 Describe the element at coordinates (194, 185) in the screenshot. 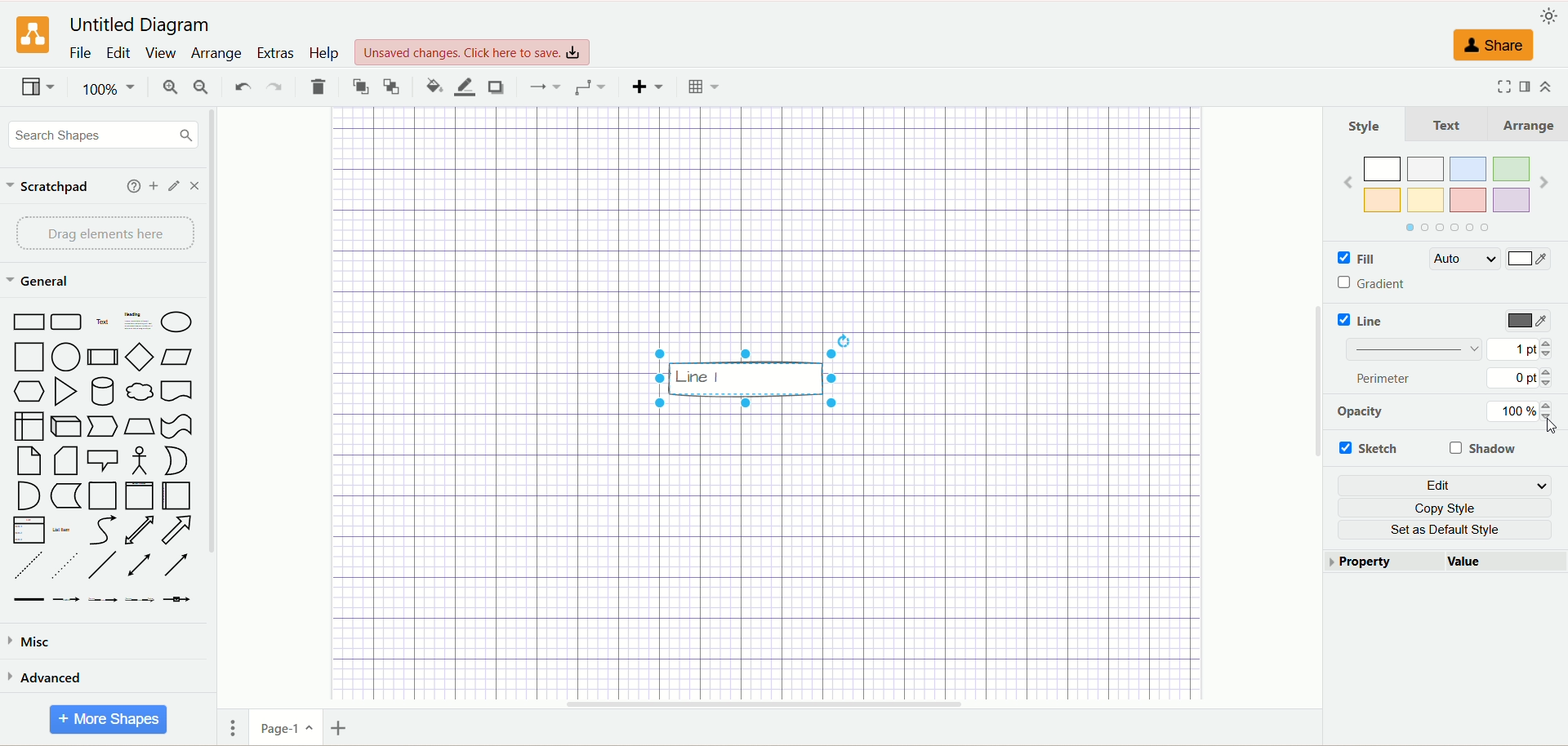

I see `close` at that location.